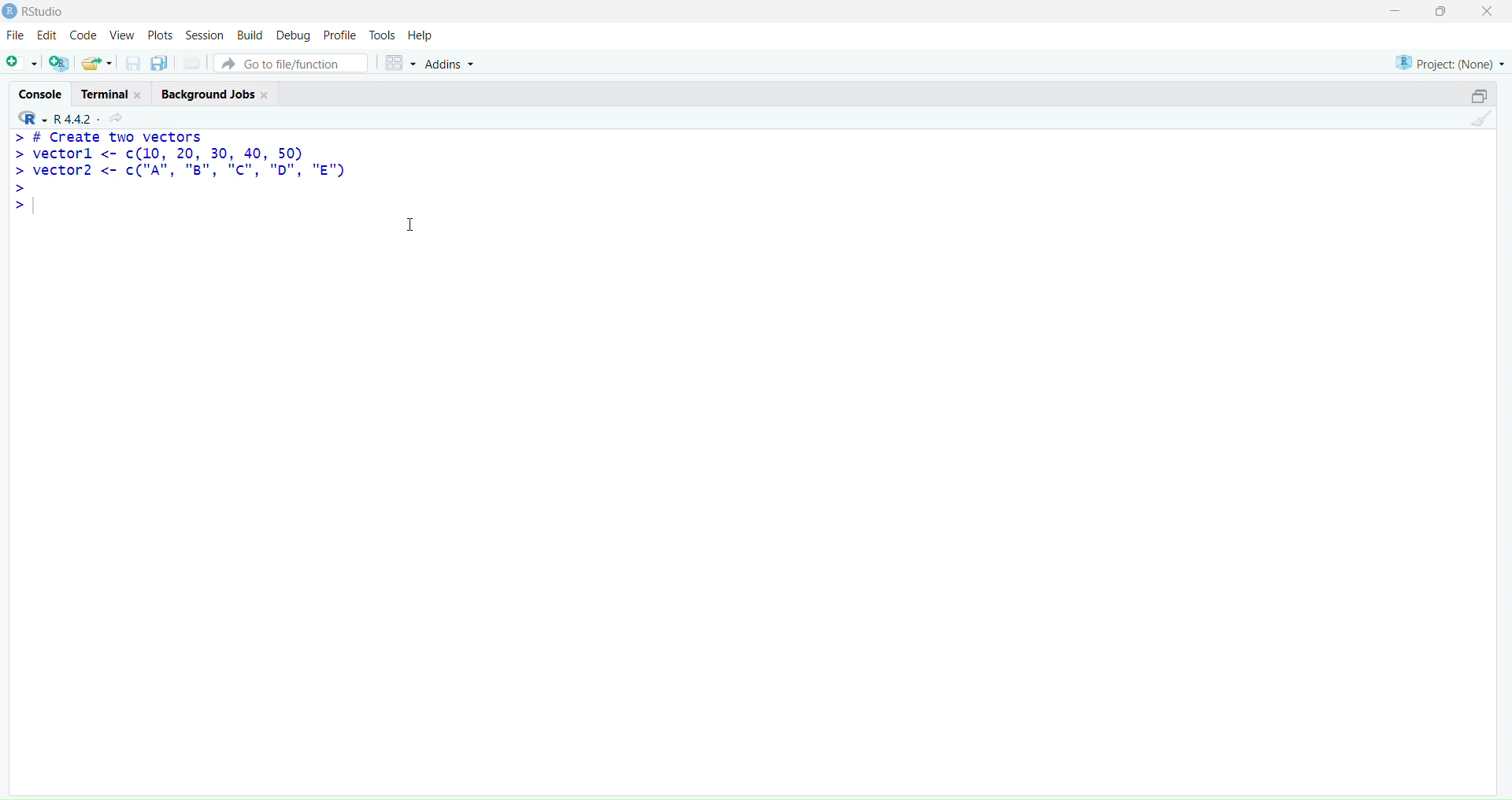  What do you see at coordinates (161, 64) in the screenshot?
I see `save all open document` at bounding box center [161, 64].